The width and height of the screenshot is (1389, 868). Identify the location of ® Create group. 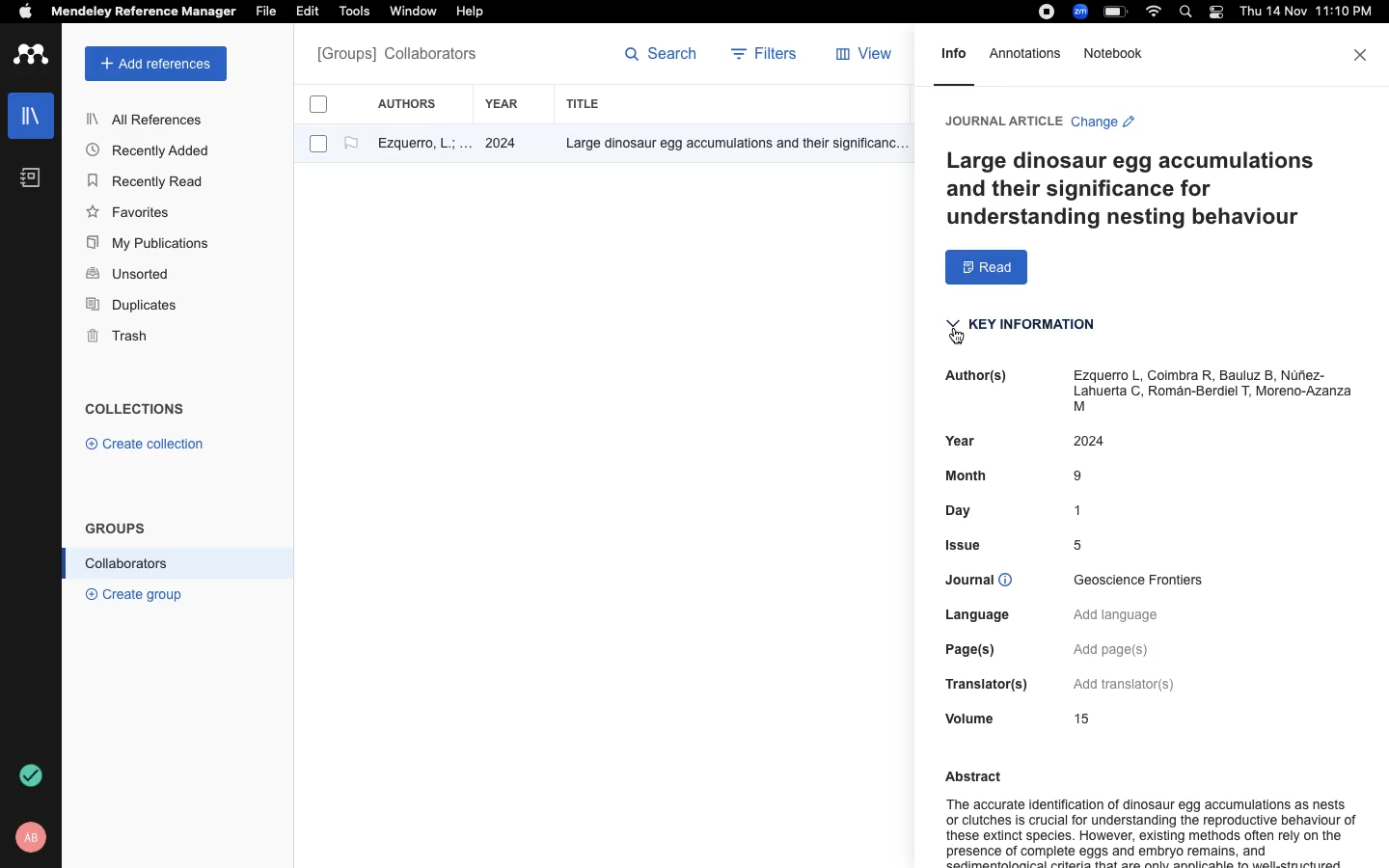
(130, 593).